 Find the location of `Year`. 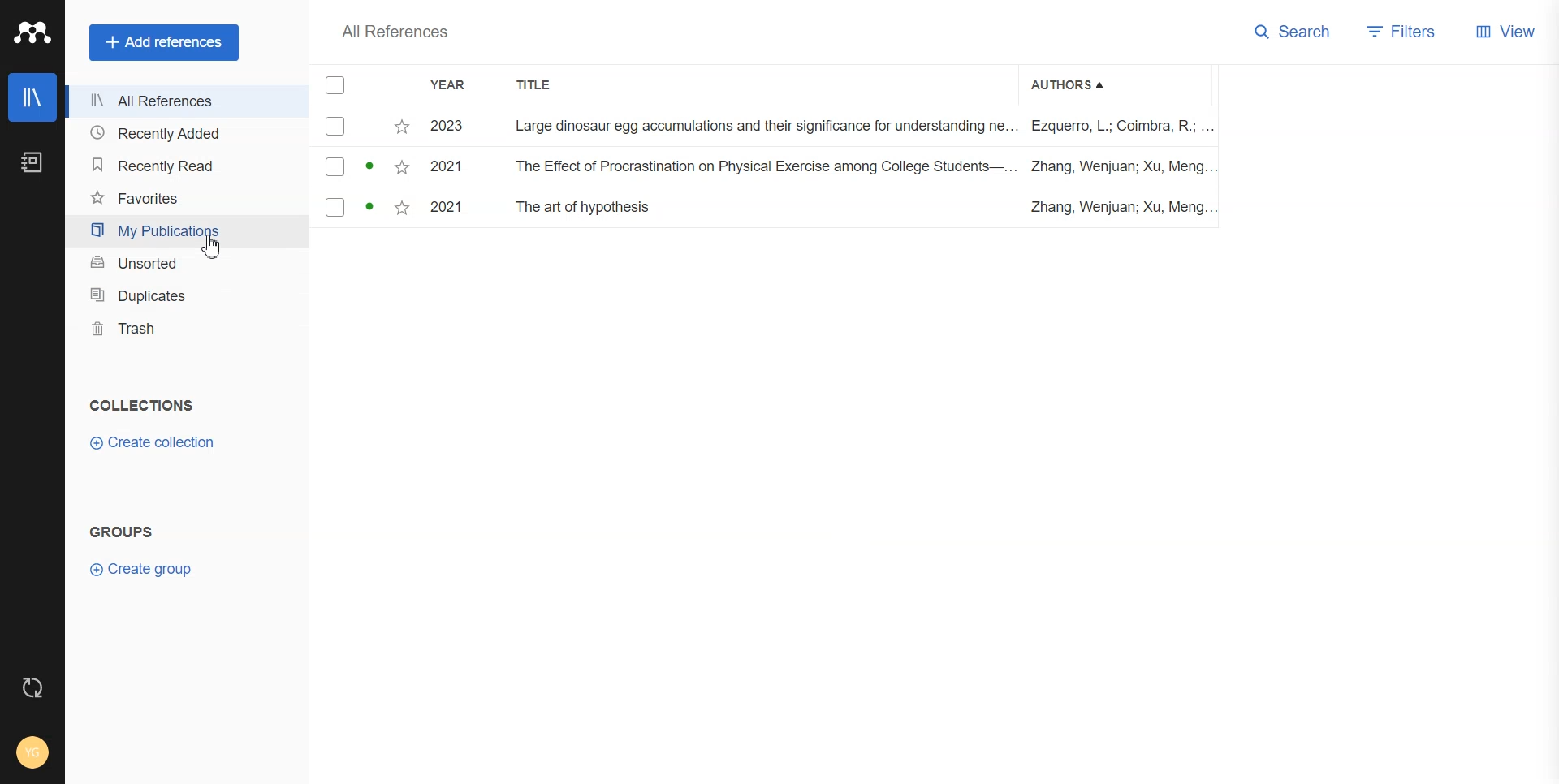

Year is located at coordinates (458, 86).